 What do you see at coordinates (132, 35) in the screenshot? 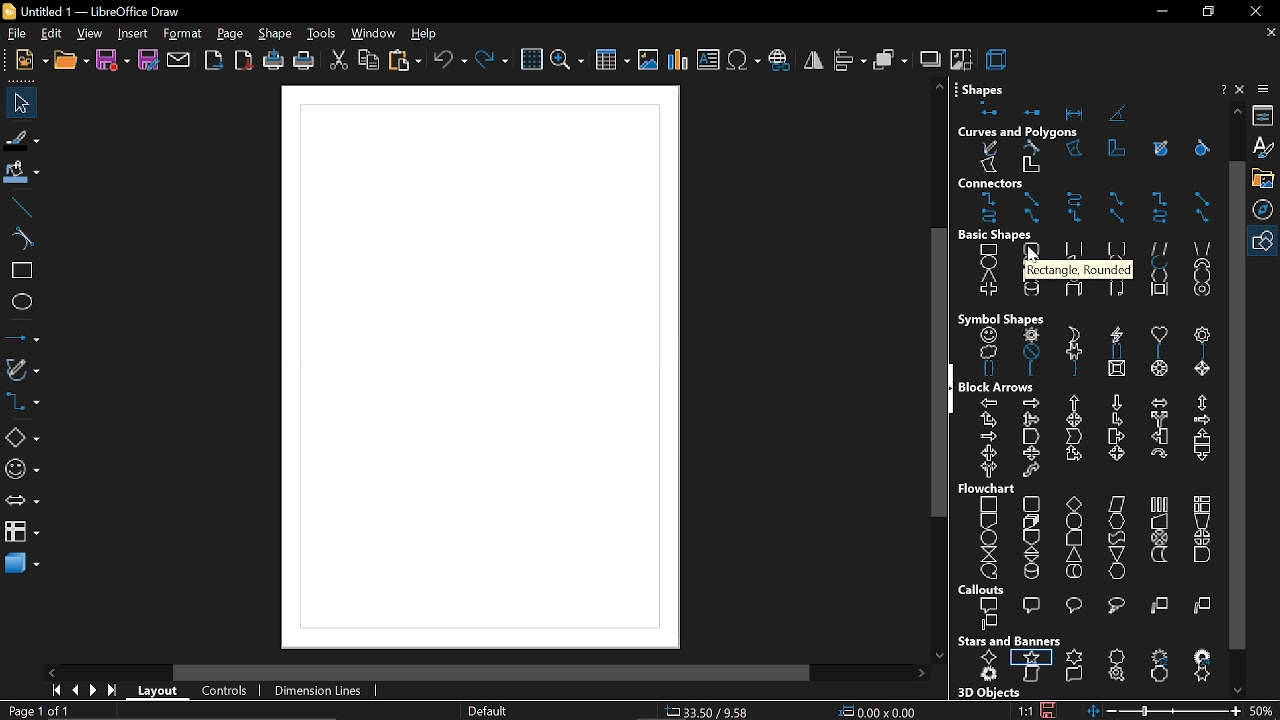
I see `insert` at bounding box center [132, 35].